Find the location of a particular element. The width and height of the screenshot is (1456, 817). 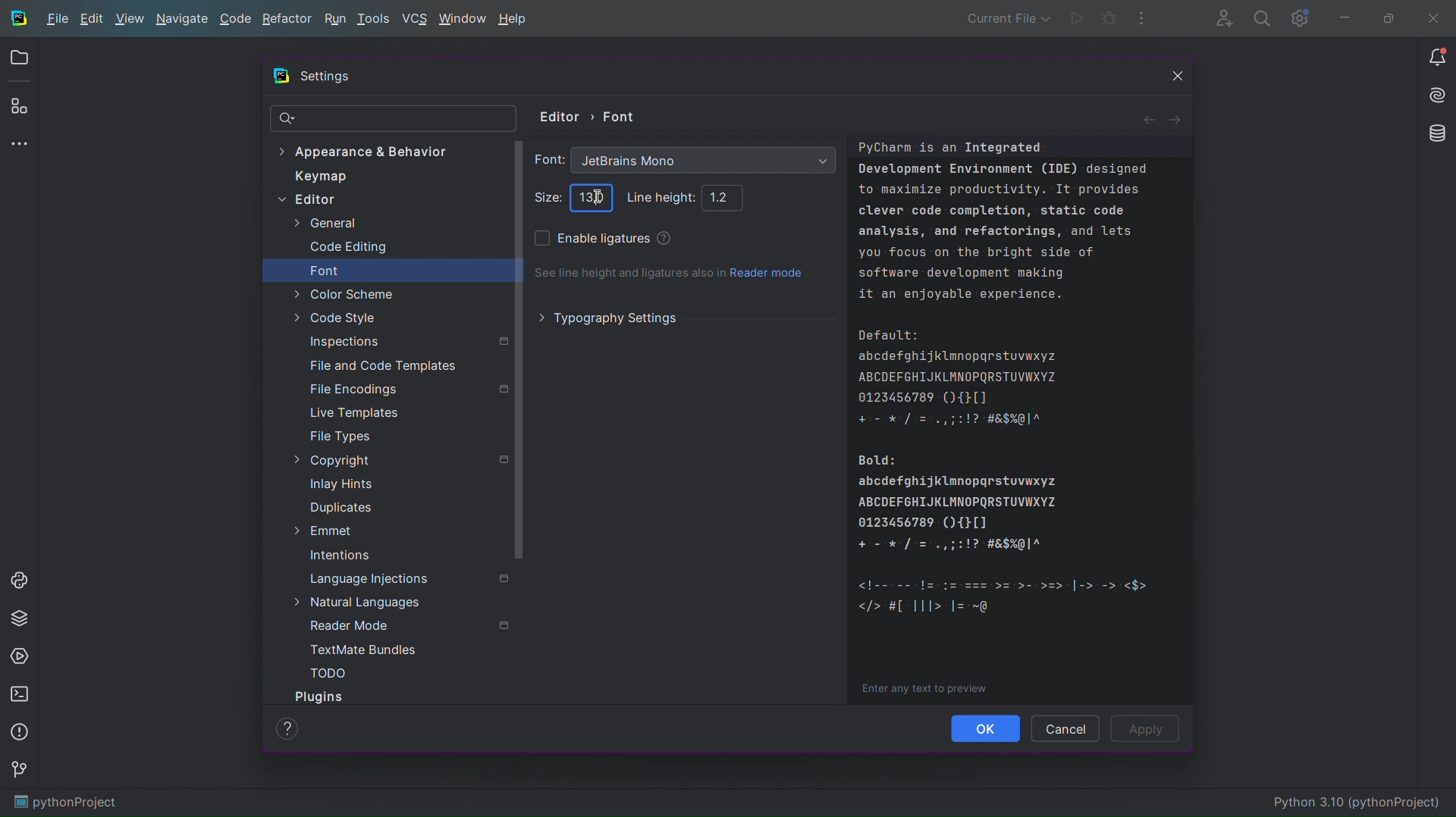

Copyright is located at coordinates (400, 462).